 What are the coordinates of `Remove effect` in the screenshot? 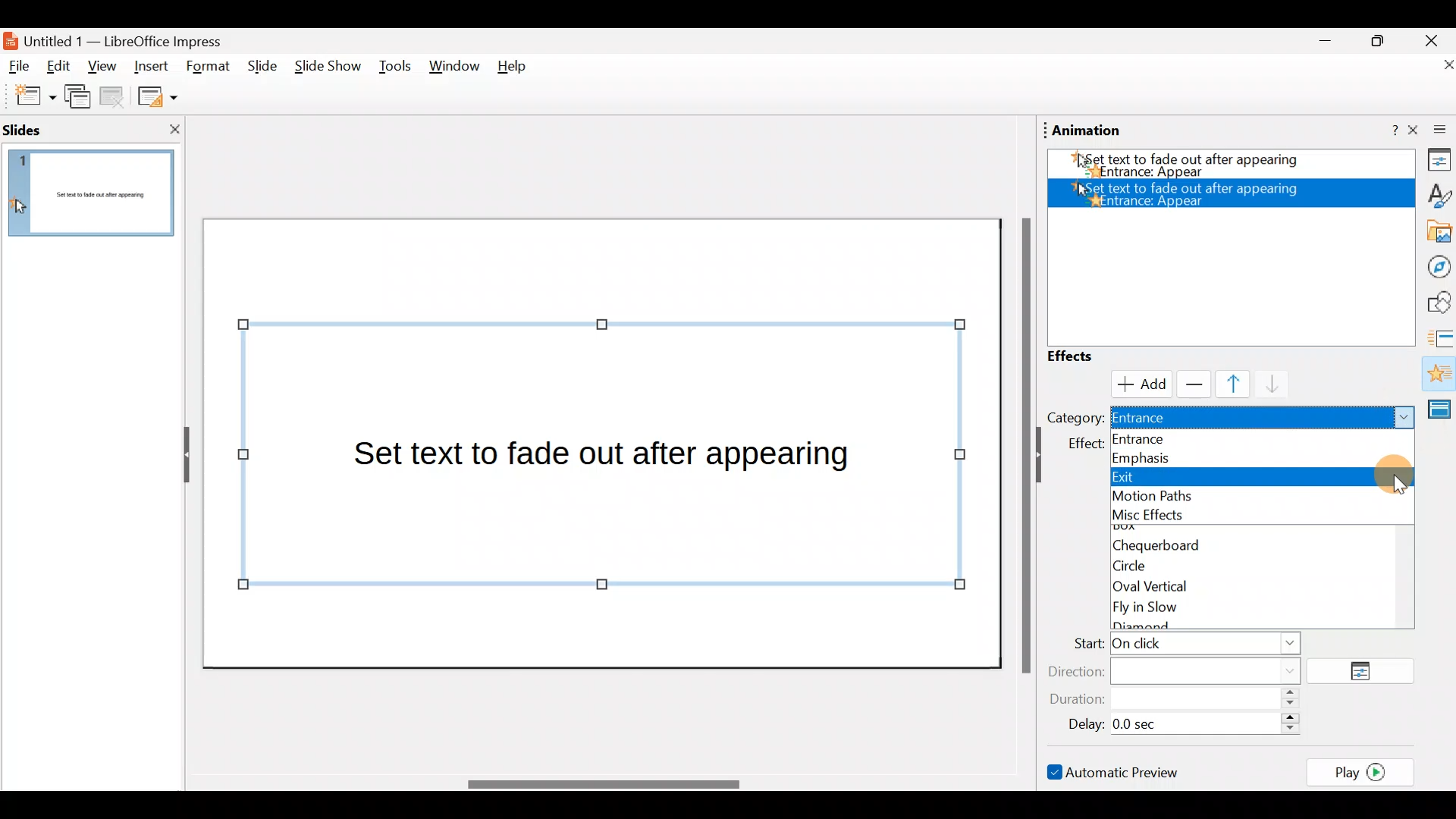 It's located at (1191, 384).